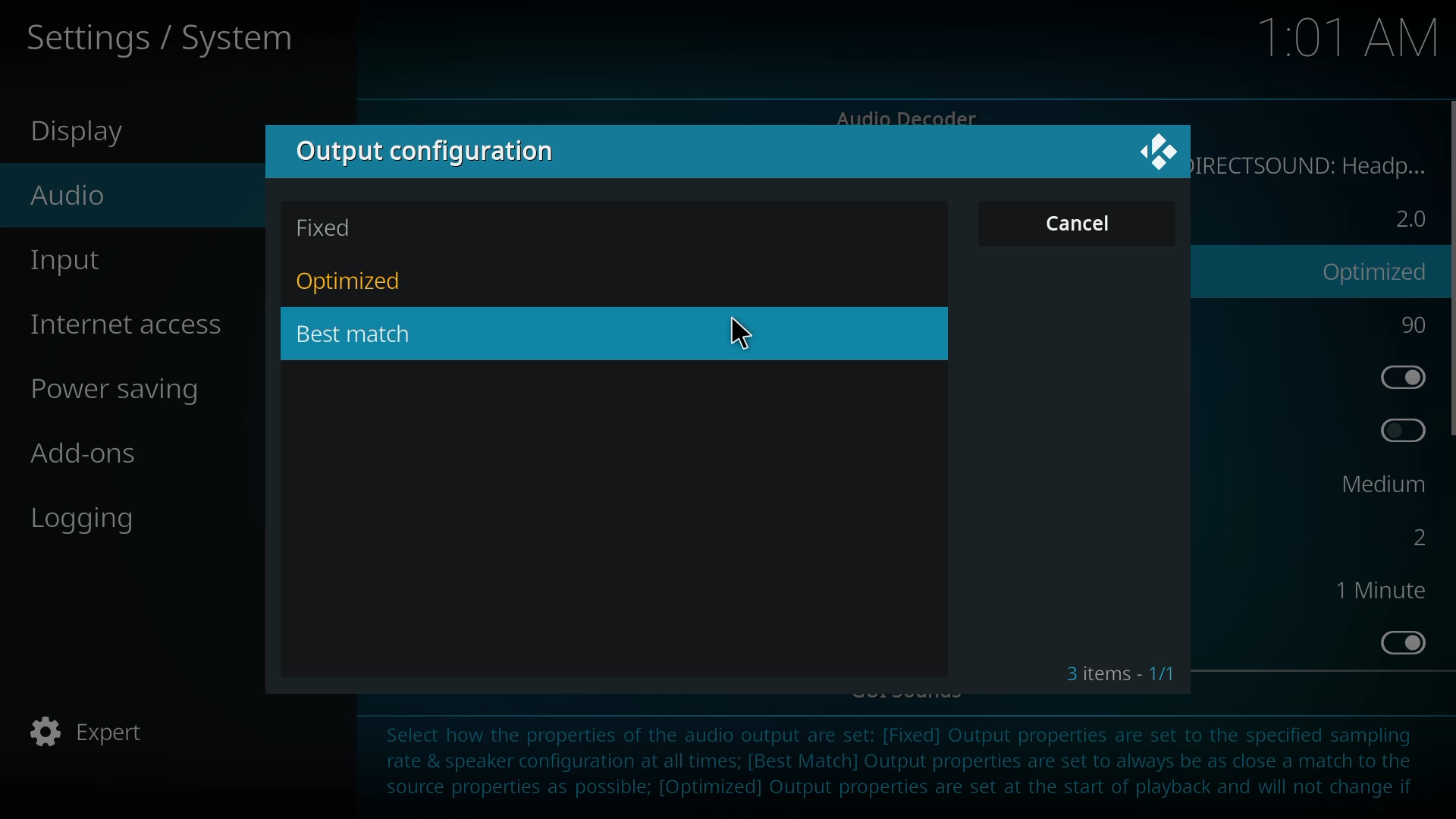 Image resolution: width=1456 pixels, height=819 pixels. Describe the element at coordinates (1373, 485) in the screenshot. I see `medium` at that location.